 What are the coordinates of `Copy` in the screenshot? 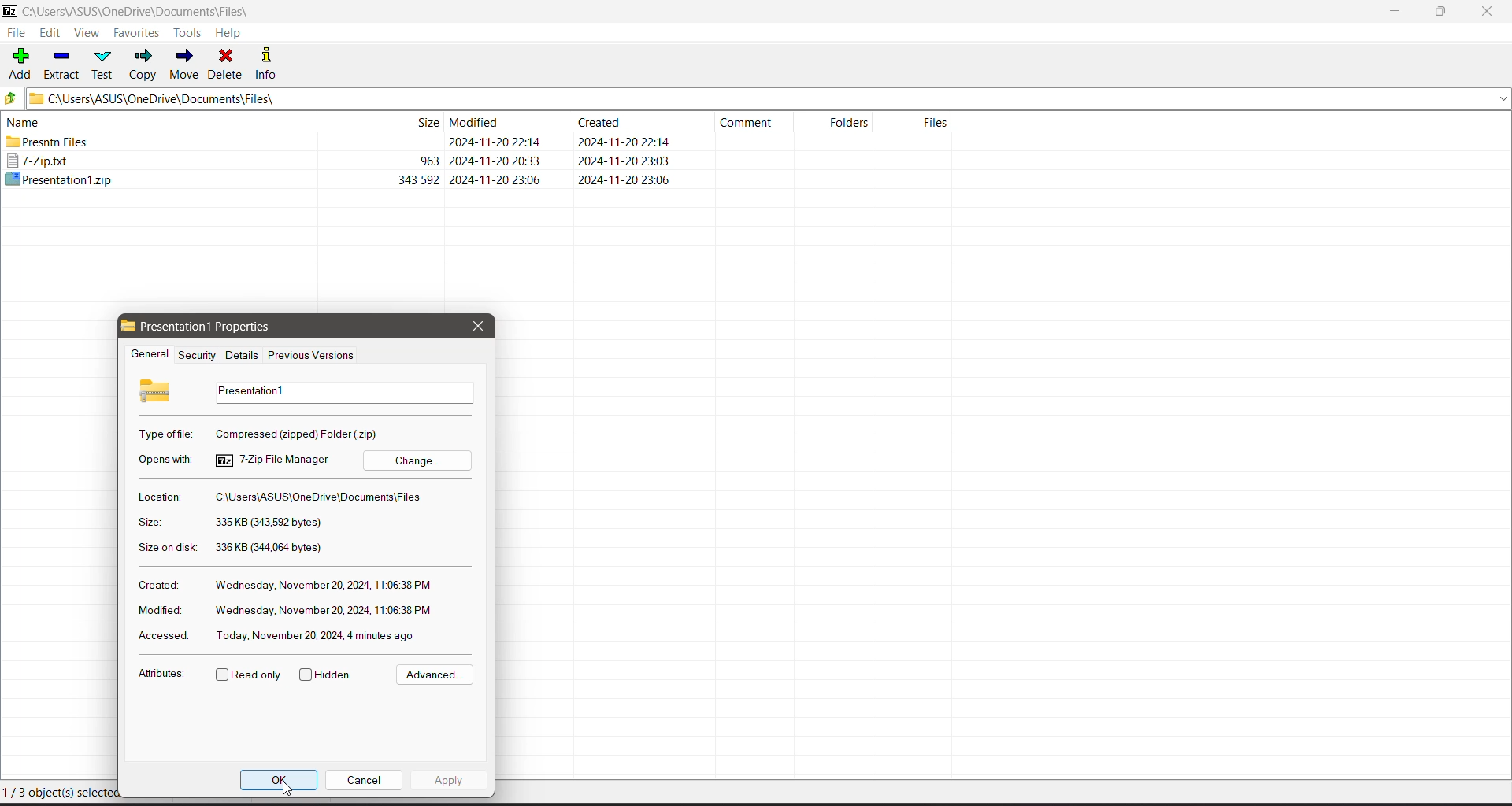 It's located at (144, 65).